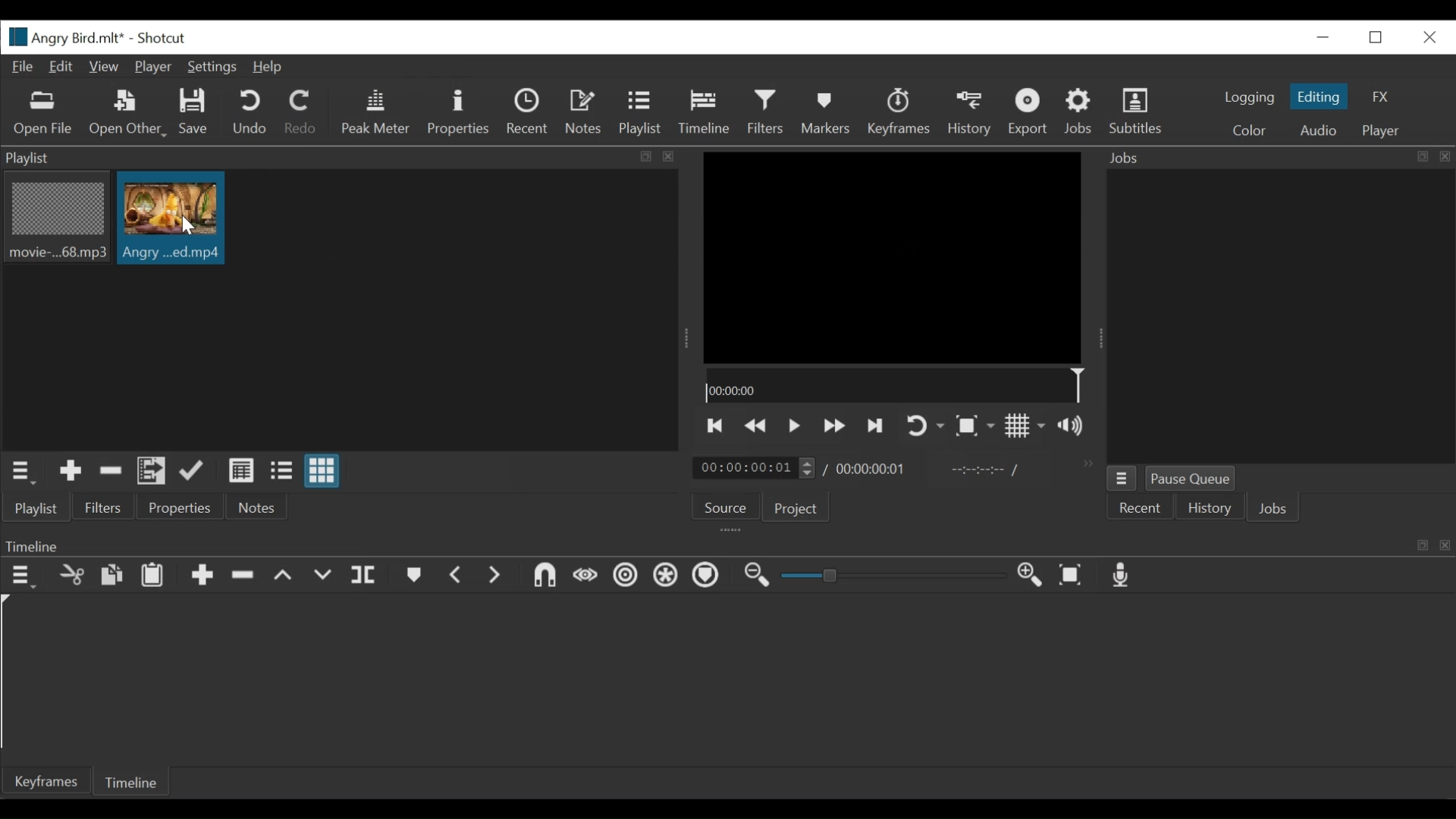 This screenshot has height=819, width=1456. Describe the element at coordinates (37, 509) in the screenshot. I see `Playlist` at that location.